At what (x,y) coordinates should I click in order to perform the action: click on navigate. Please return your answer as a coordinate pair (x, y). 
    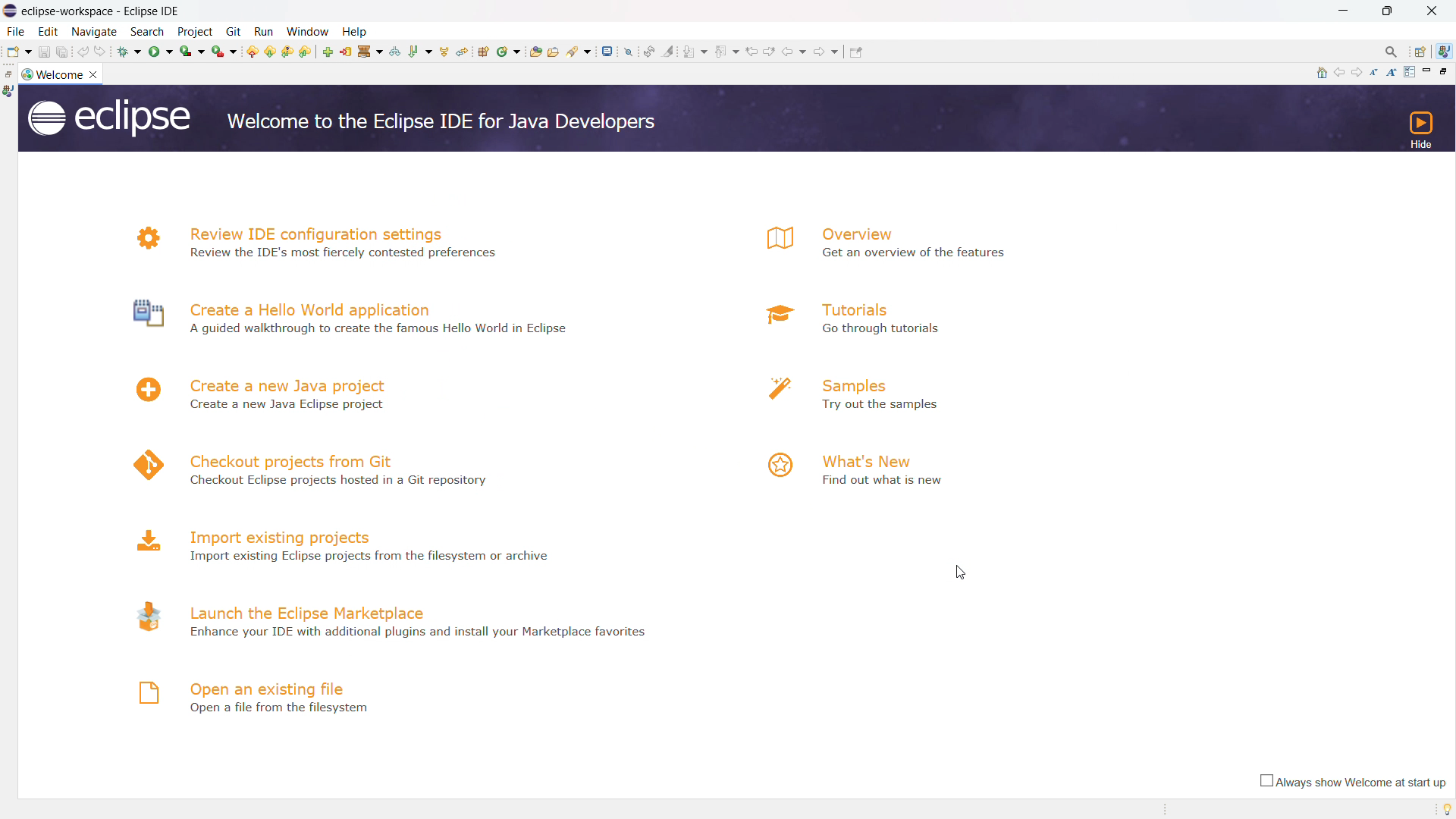
    Looking at the image, I should click on (95, 32).